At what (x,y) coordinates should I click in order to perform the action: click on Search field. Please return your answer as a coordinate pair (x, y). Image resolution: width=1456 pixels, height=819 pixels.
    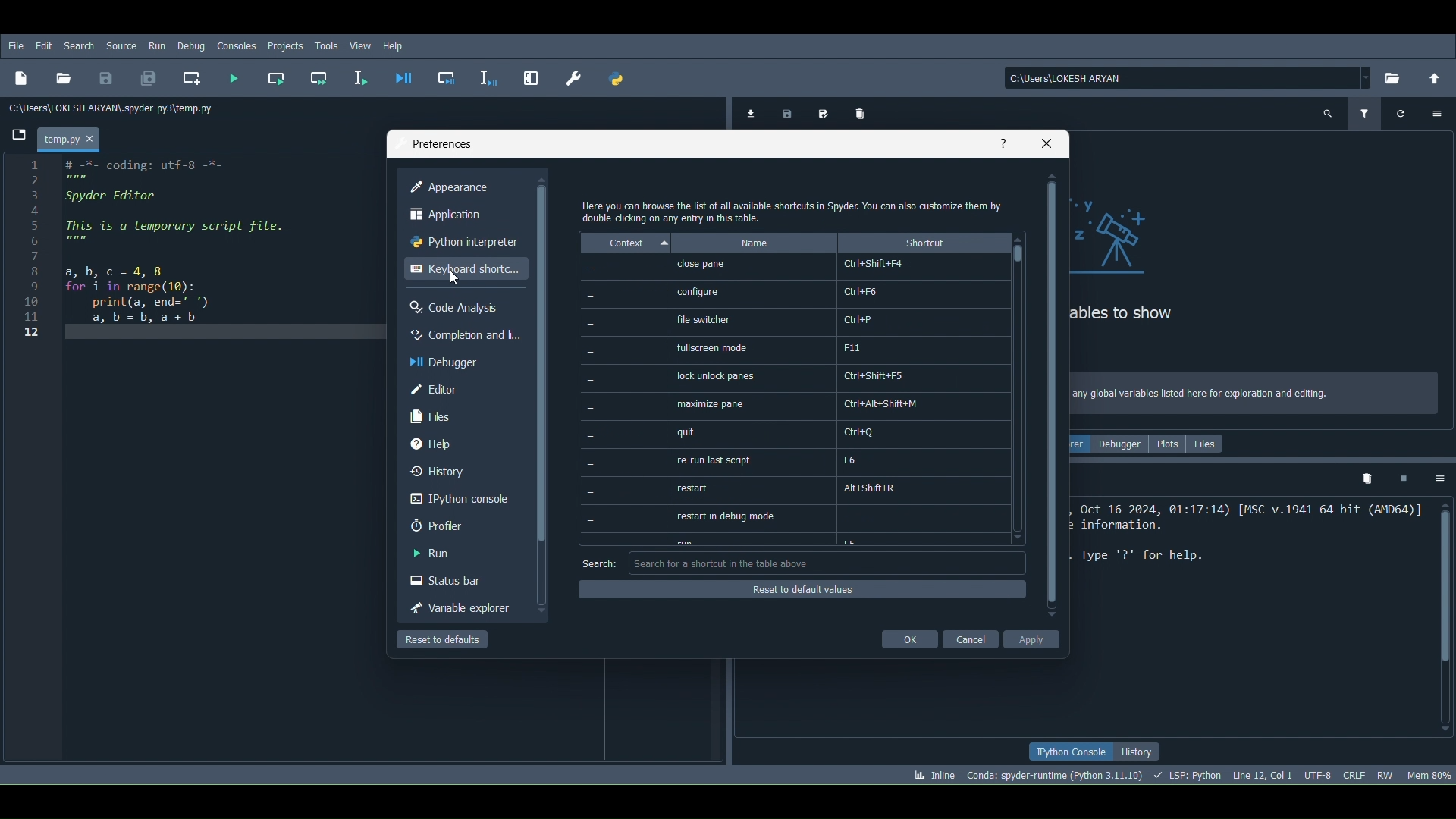
    Looking at the image, I should click on (833, 564).